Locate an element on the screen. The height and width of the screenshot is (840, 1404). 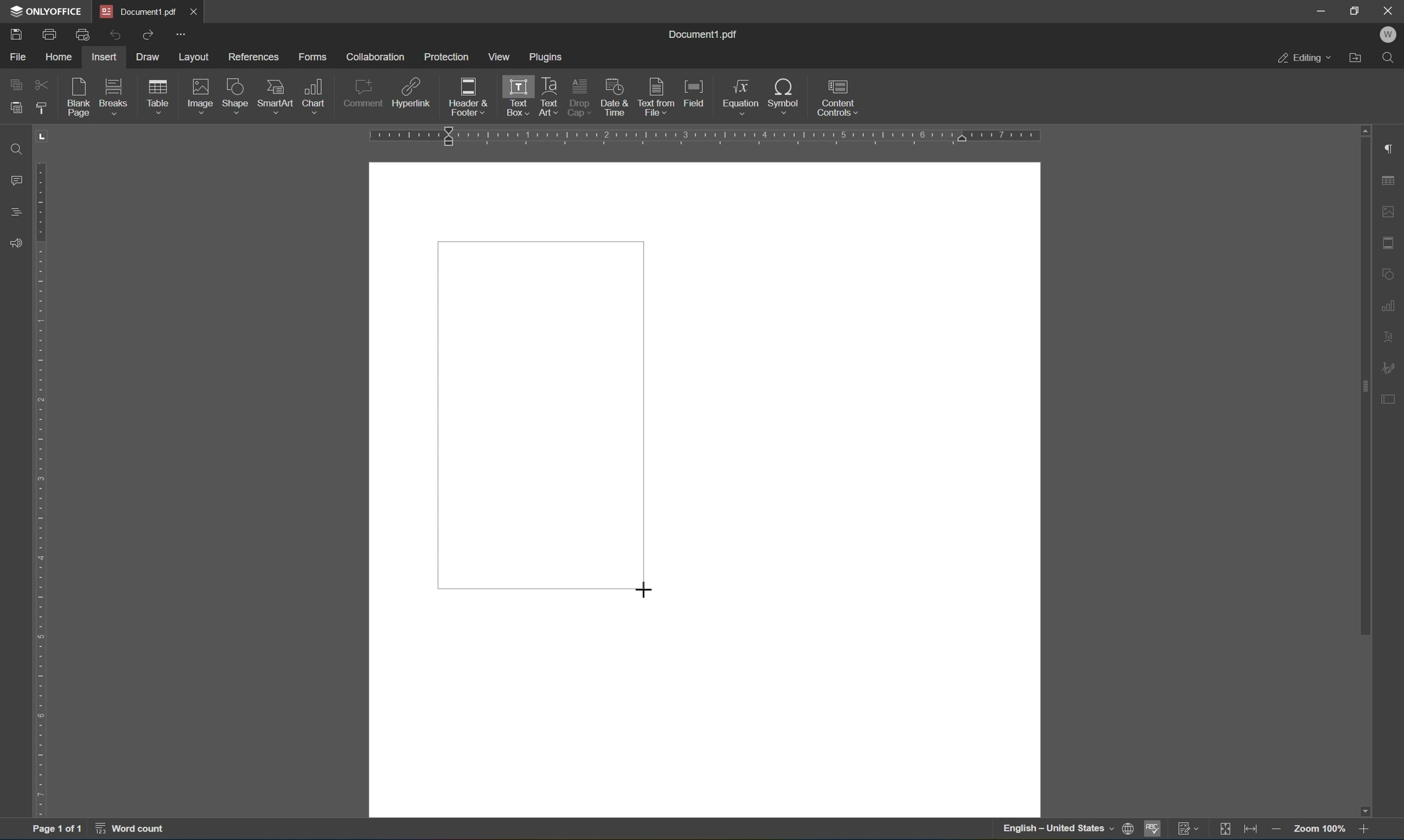
Page 1 of 1 is located at coordinates (57, 830).